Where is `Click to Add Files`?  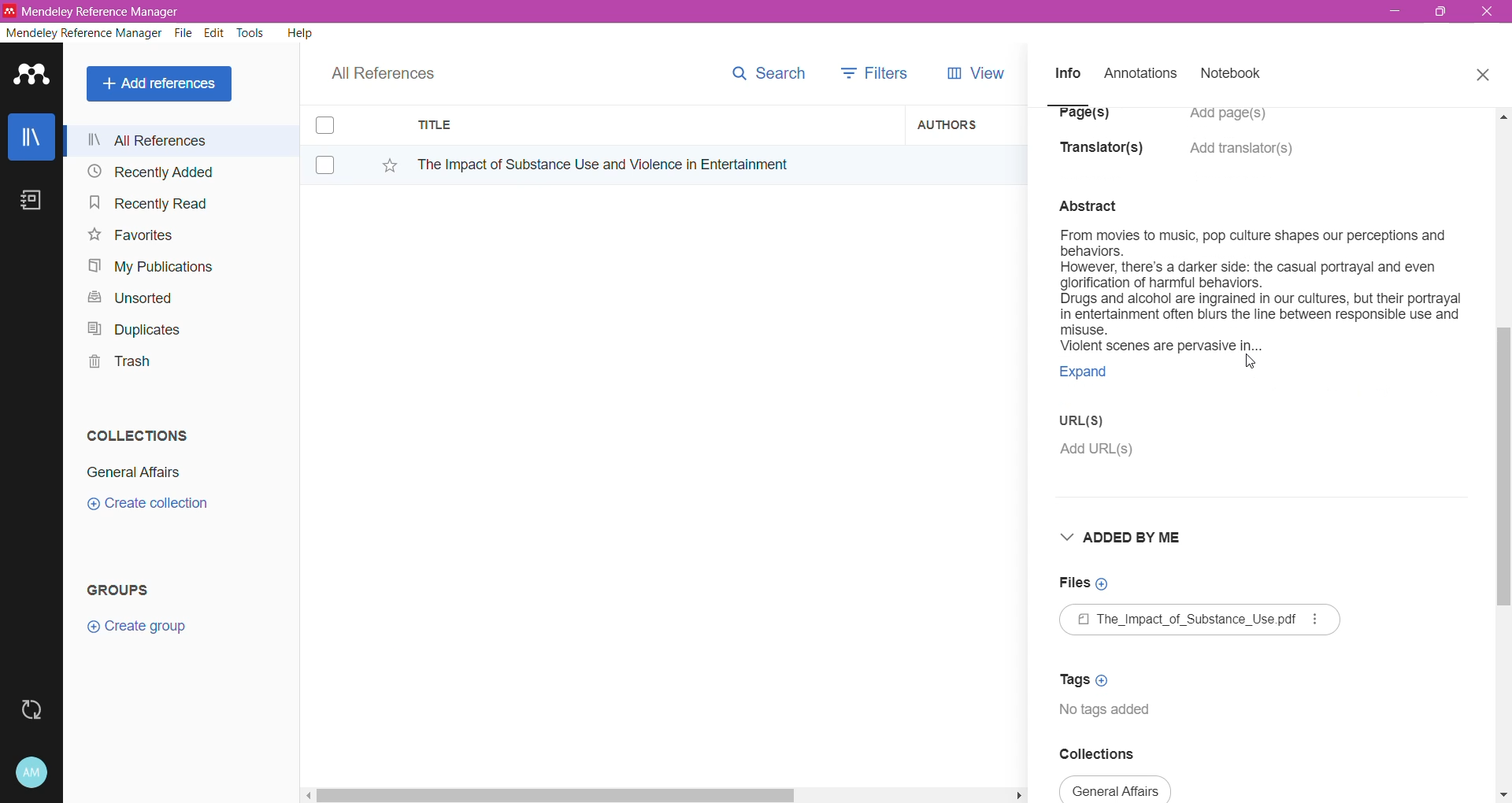 Click to Add Files is located at coordinates (1080, 590).